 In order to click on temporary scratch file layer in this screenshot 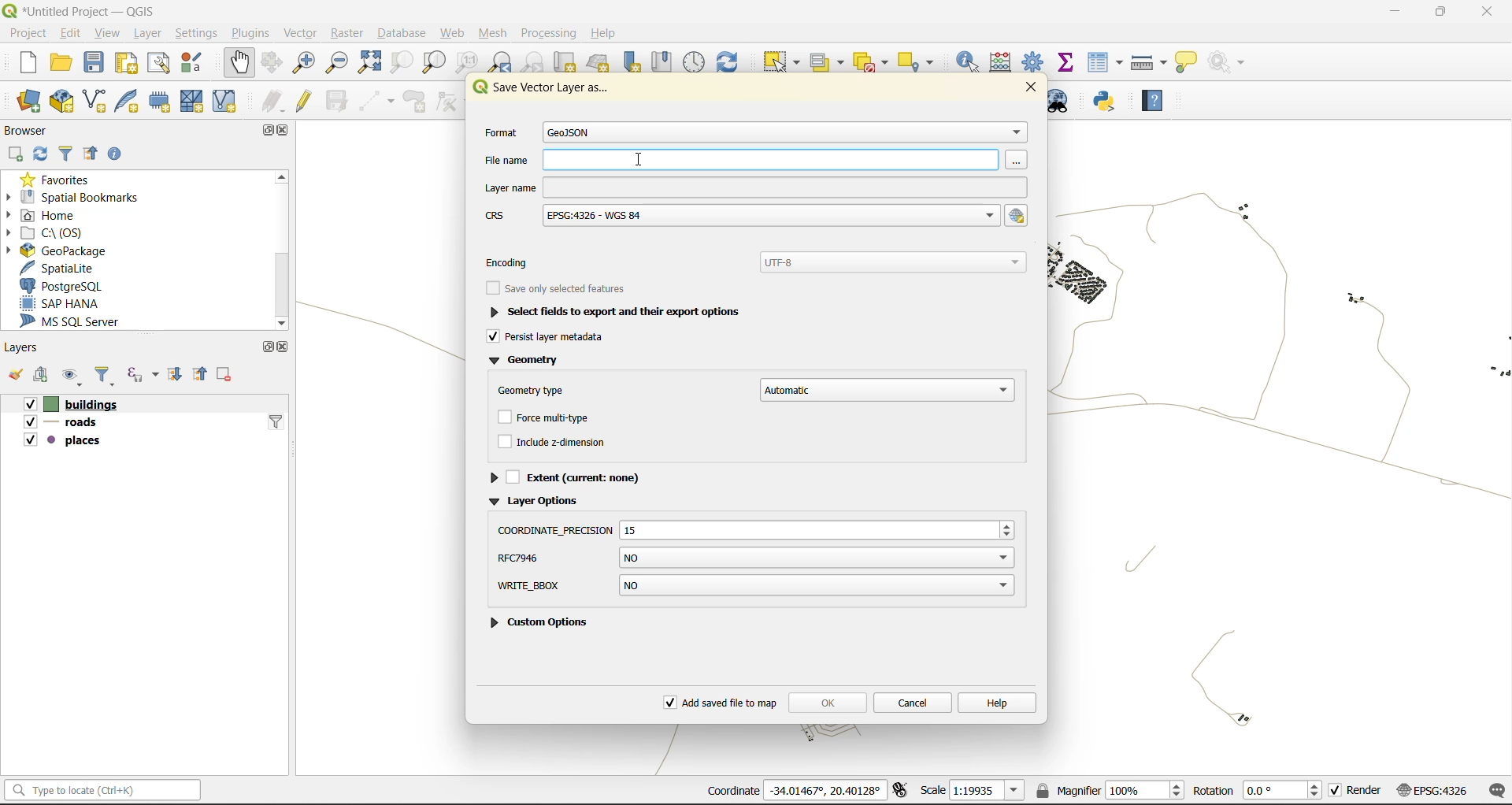, I will do `click(165, 100)`.